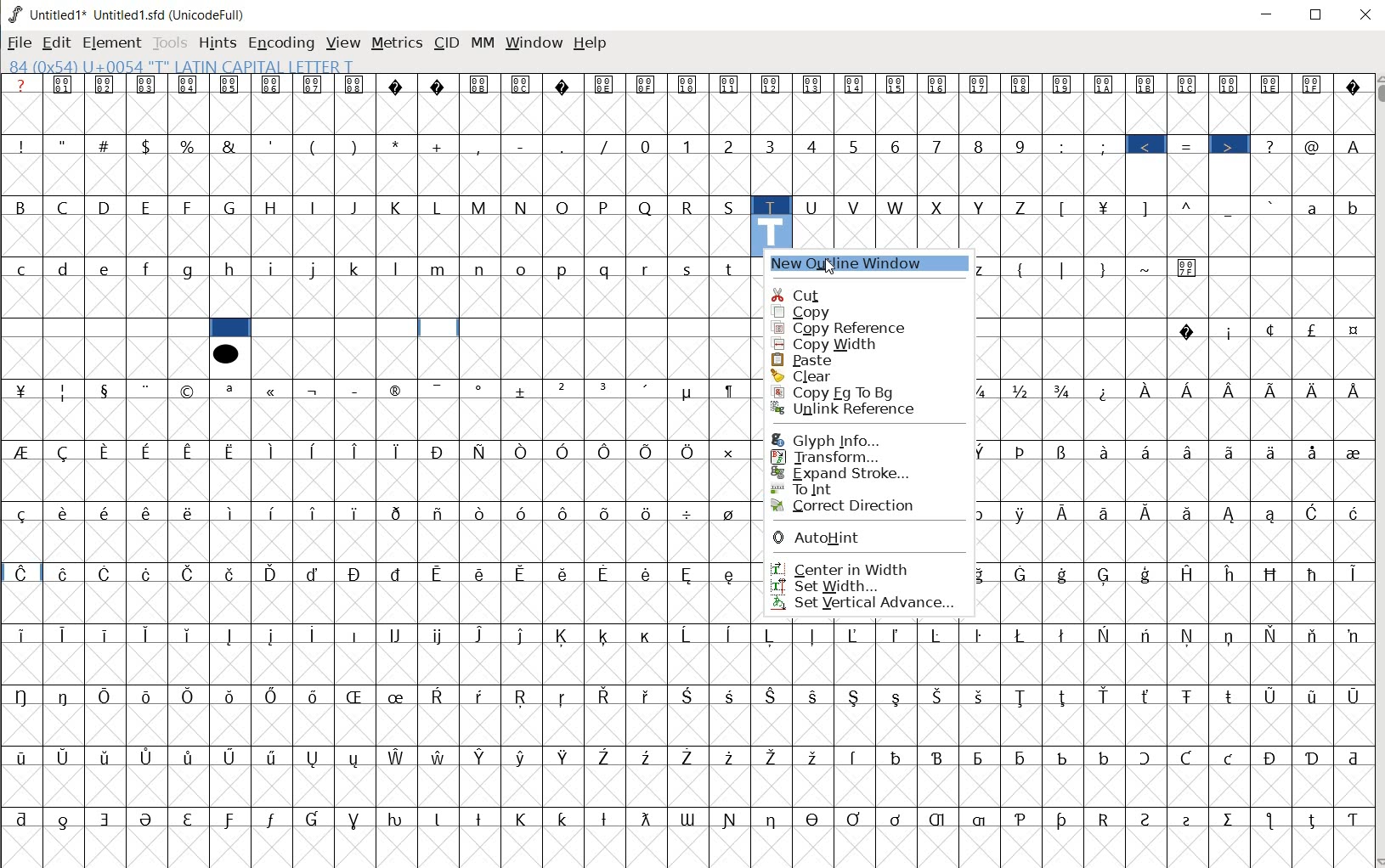  What do you see at coordinates (1272, 145) in the screenshot?
I see `?` at bounding box center [1272, 145].